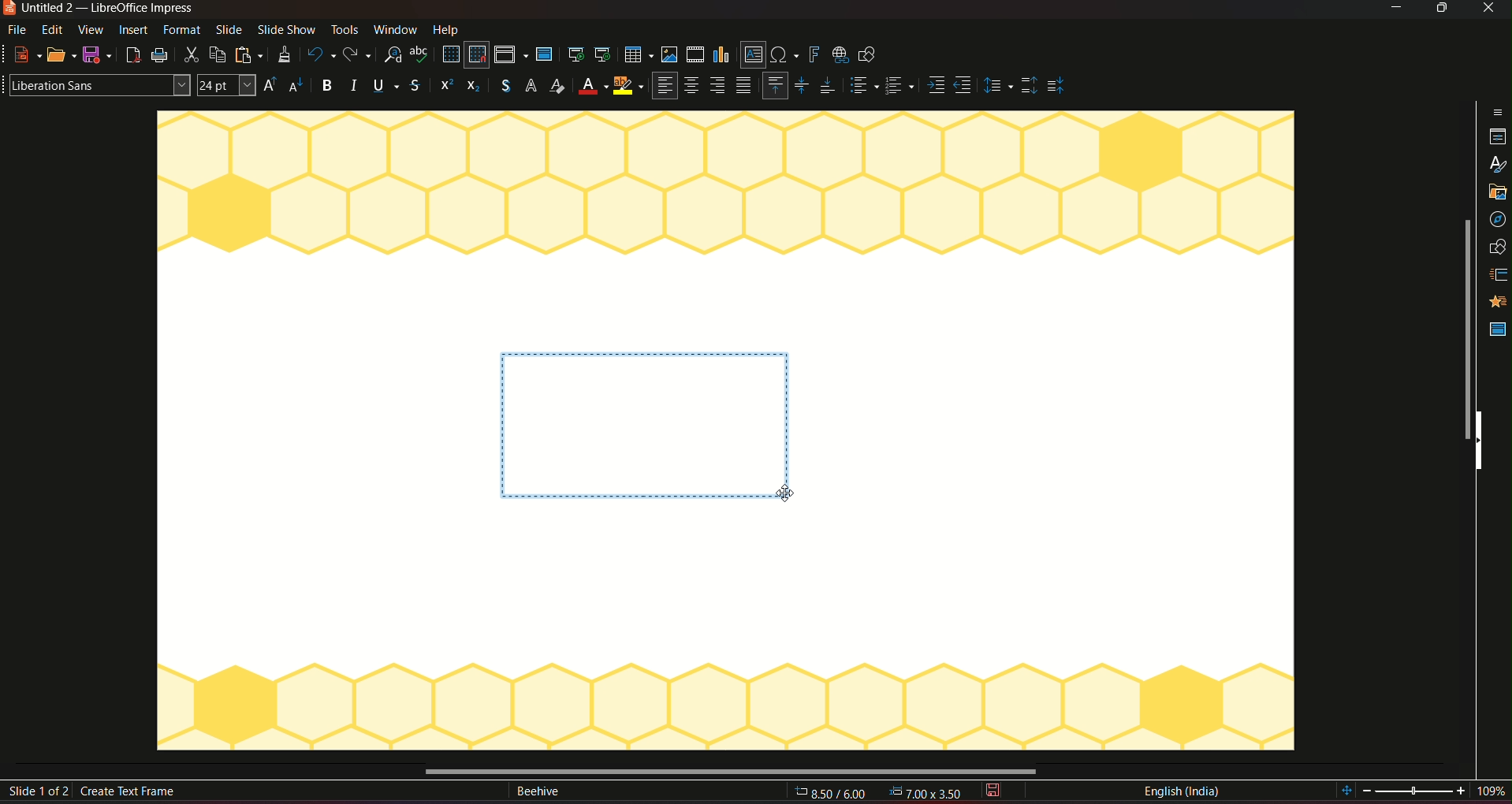 This screenshot has width=1512, height=804. What do you see at coordinates (394, 55) in the screenshot?
I see `find and replace` at bounding box center [394, 55].